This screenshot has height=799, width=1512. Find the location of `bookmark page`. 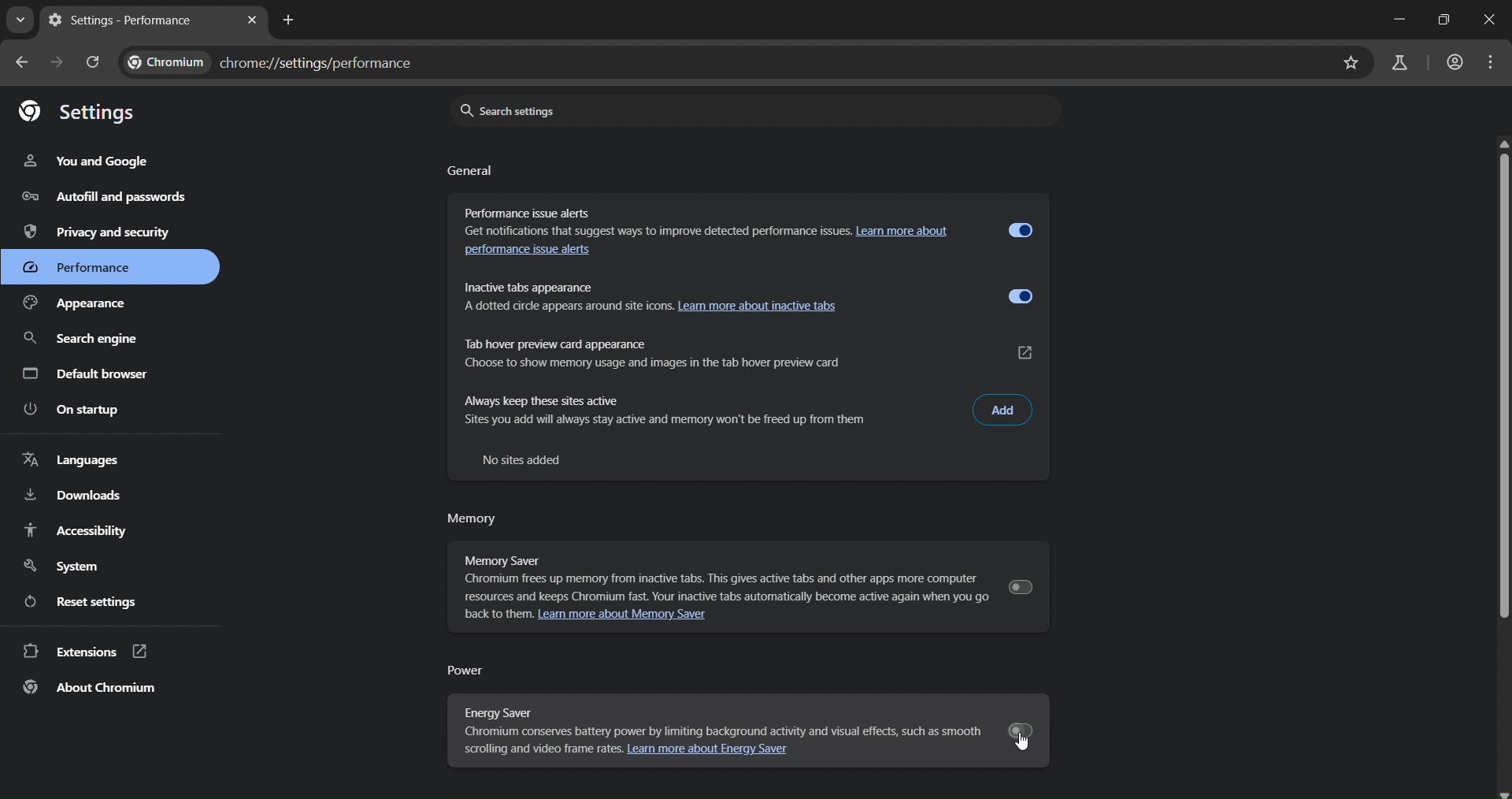

bookmark page is located at coordinates (1350, 64).